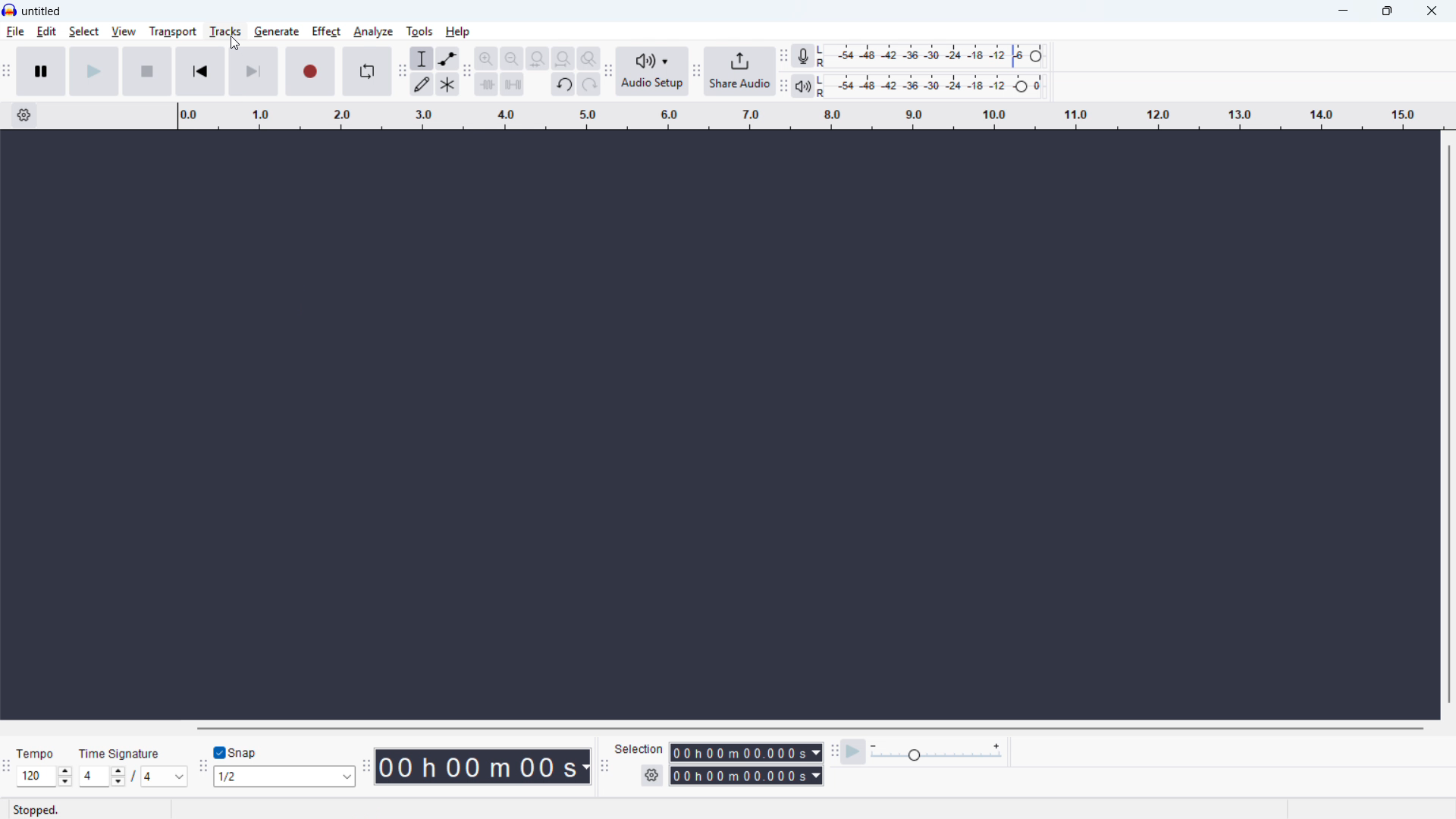 Image resolution: width=1456 pixels, height=819 pixels. I want to click on Timeline settings , so click(23, 115).